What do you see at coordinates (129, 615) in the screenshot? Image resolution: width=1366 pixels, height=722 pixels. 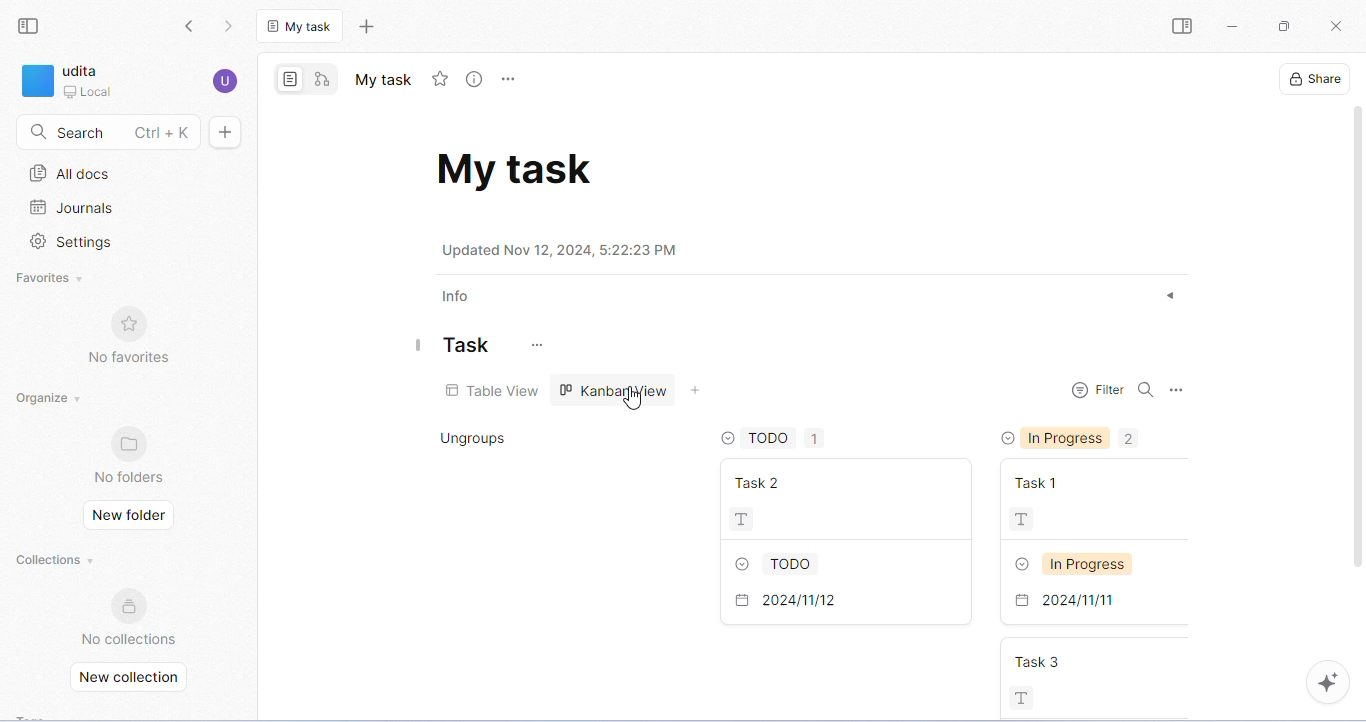 I see `no collections` at bounding box center [129, 615].